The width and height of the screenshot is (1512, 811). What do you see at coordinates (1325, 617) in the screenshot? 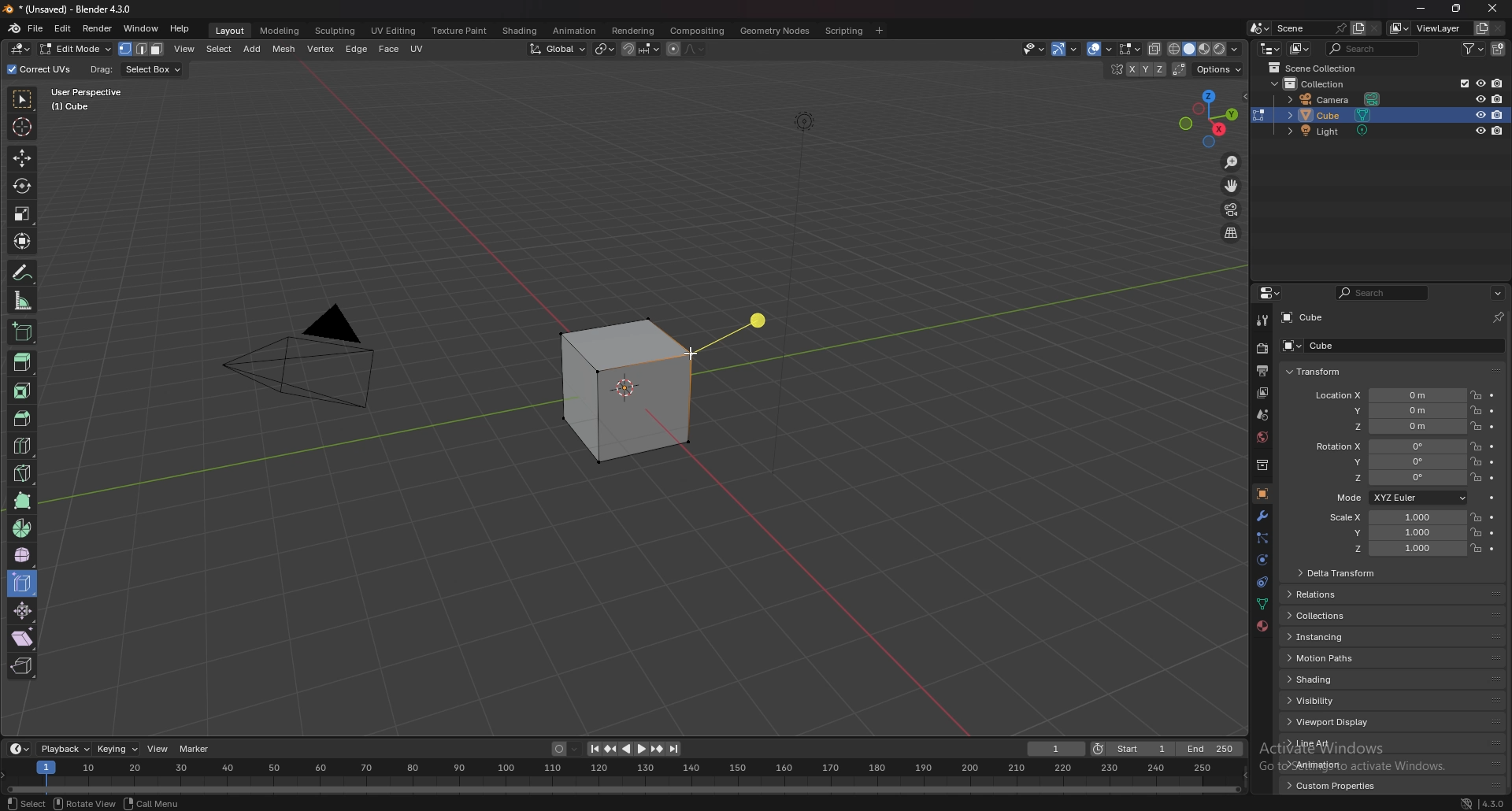
I see `collections` at bounding box center [1325, 617].